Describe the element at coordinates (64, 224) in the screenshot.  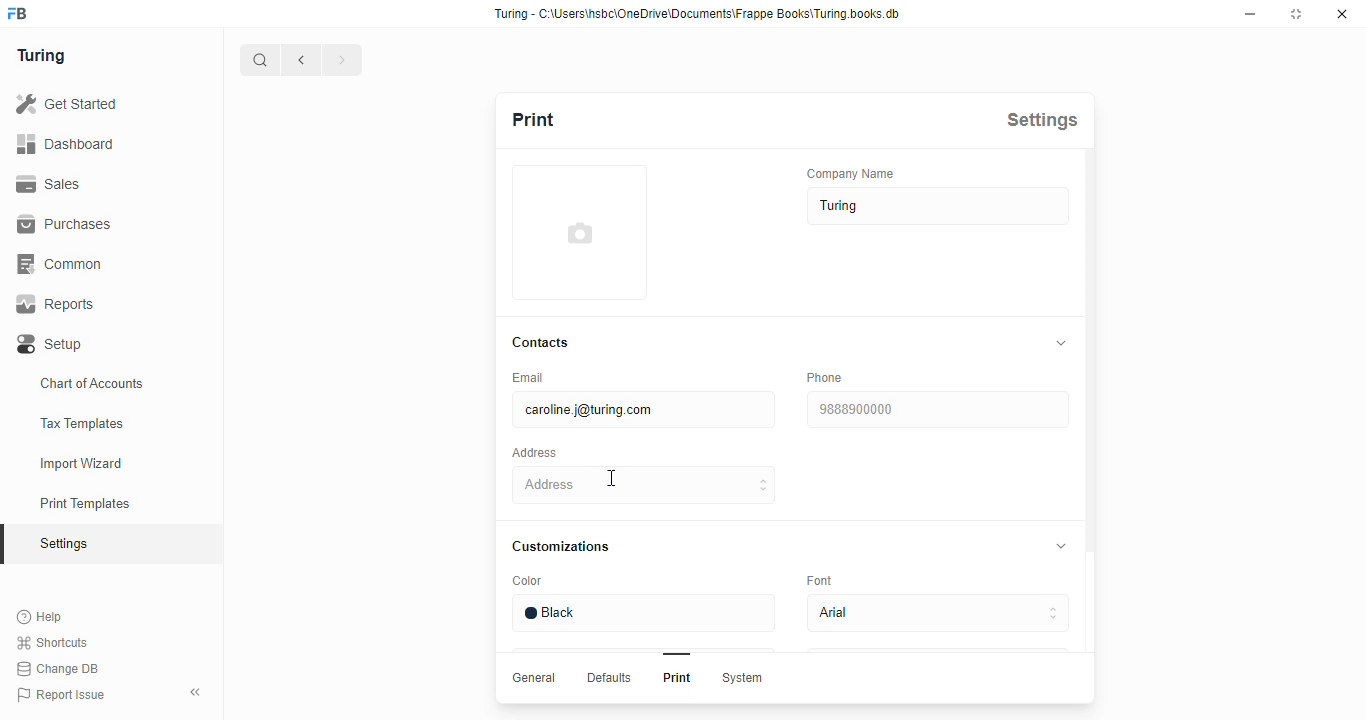
I see `purchases` at that location.